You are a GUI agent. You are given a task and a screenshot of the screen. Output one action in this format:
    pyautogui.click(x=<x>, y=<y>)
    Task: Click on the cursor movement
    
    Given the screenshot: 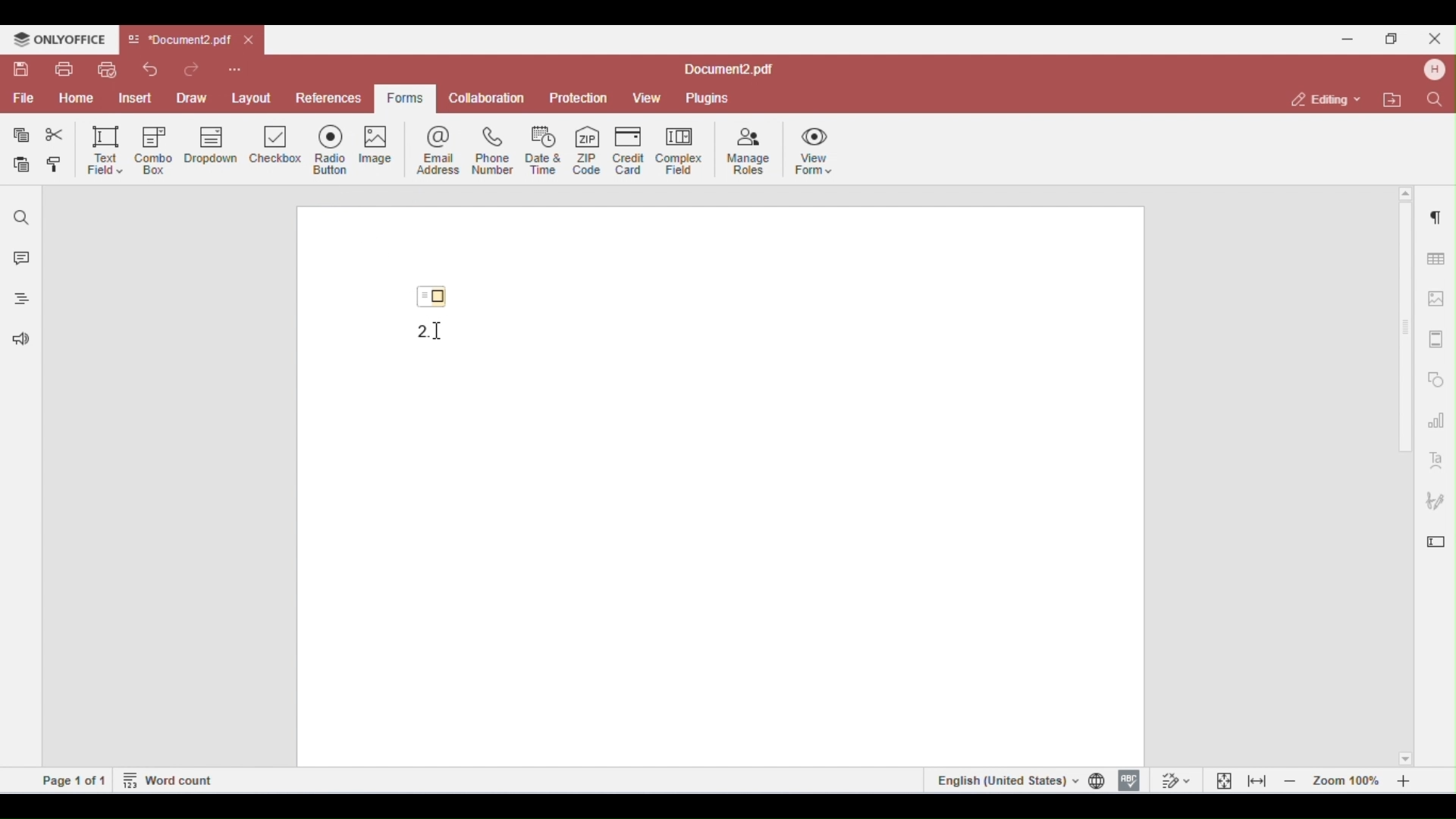 What is the action you would take?
    pyautogui.click(x=441, y=331)
    